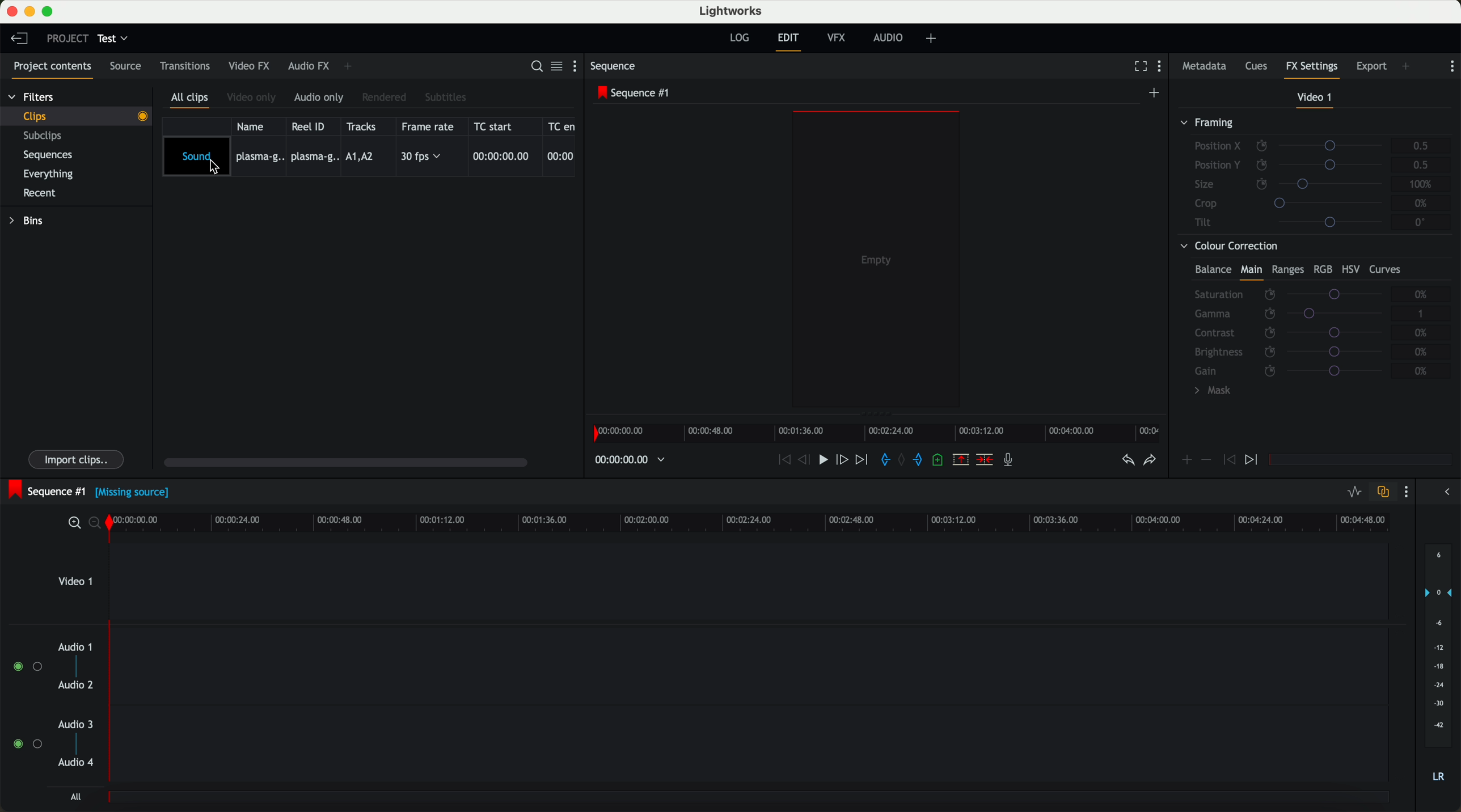 The height and width of the screenshot is (812, 1461). I want to click on audio, so click(891, 39).